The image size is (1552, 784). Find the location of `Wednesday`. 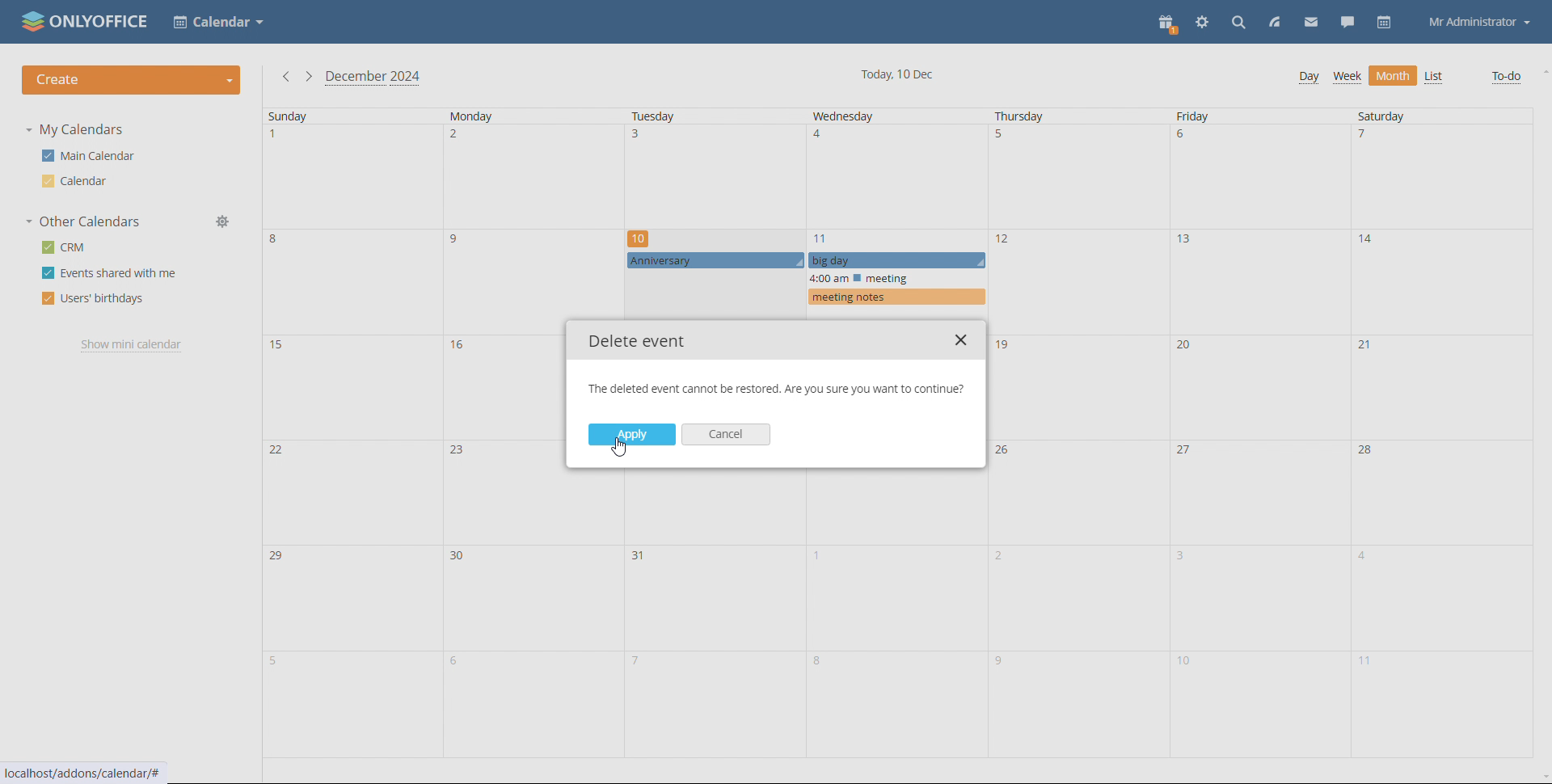

Wednesday is located at coordinates (899, 614).